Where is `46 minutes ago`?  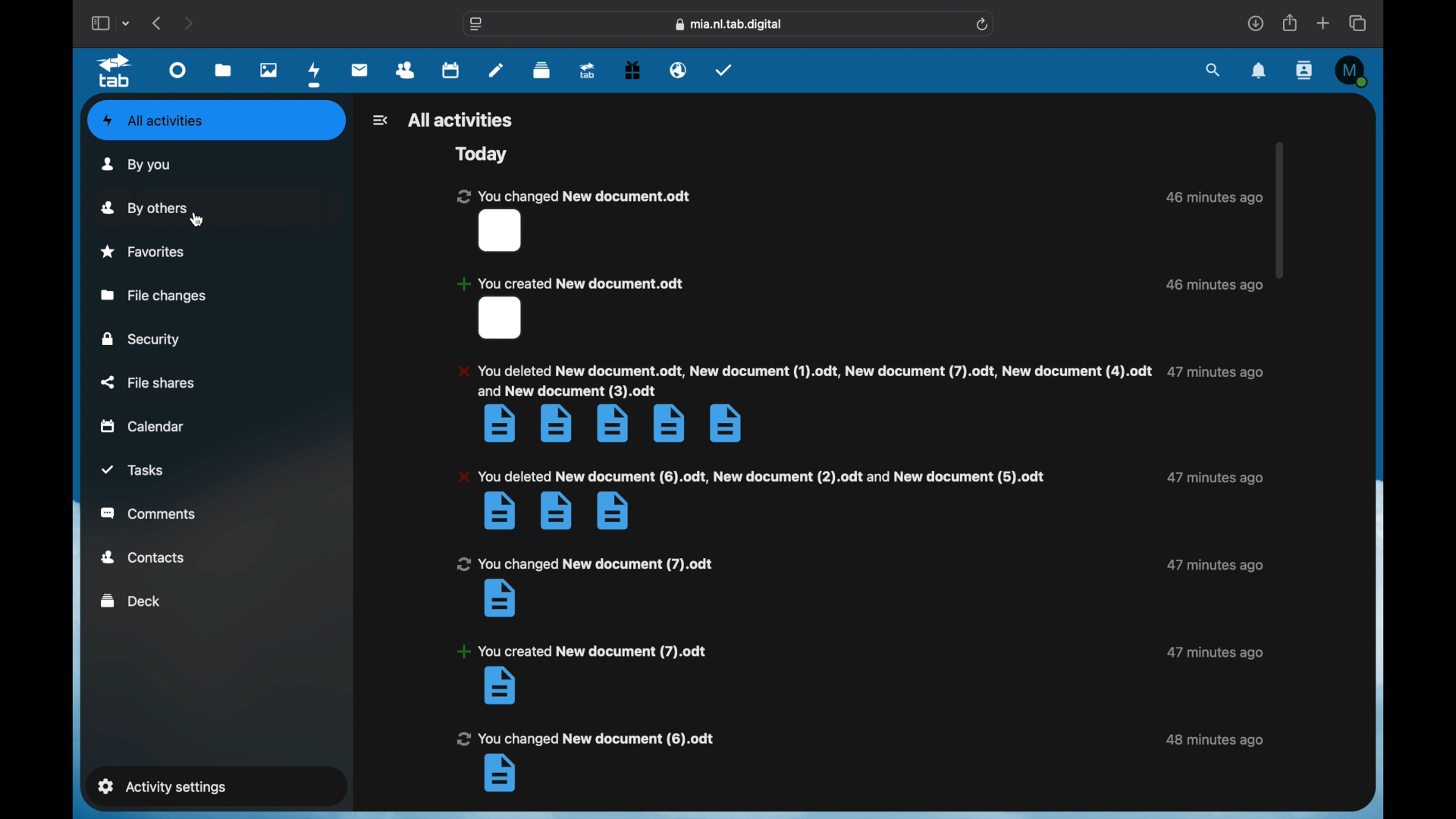 46 minutes ago is located at coordinates (1212, 198).